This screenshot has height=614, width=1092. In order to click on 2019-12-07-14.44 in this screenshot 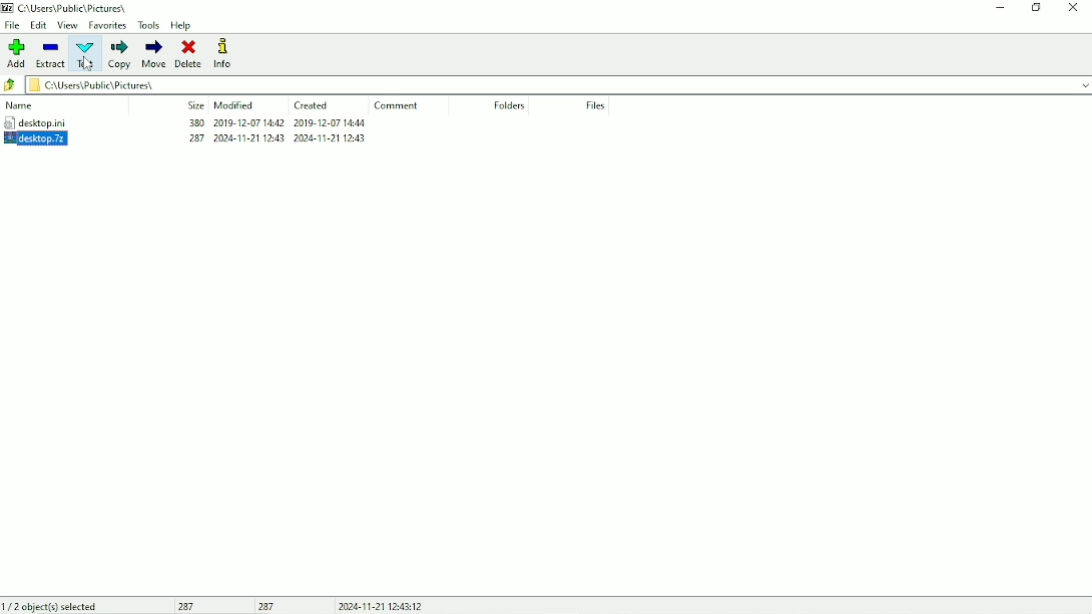, I will do `click(330, 122)`.